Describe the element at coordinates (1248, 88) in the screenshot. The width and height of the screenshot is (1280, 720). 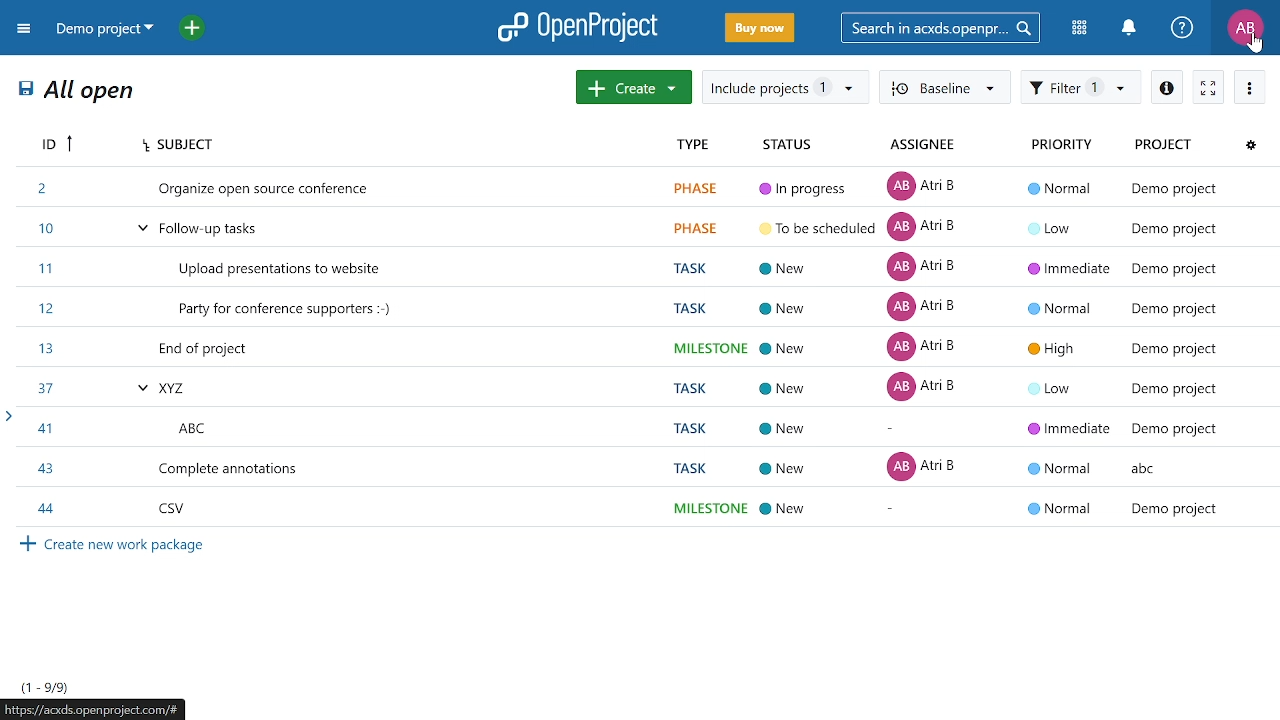
I see `options` at that location.